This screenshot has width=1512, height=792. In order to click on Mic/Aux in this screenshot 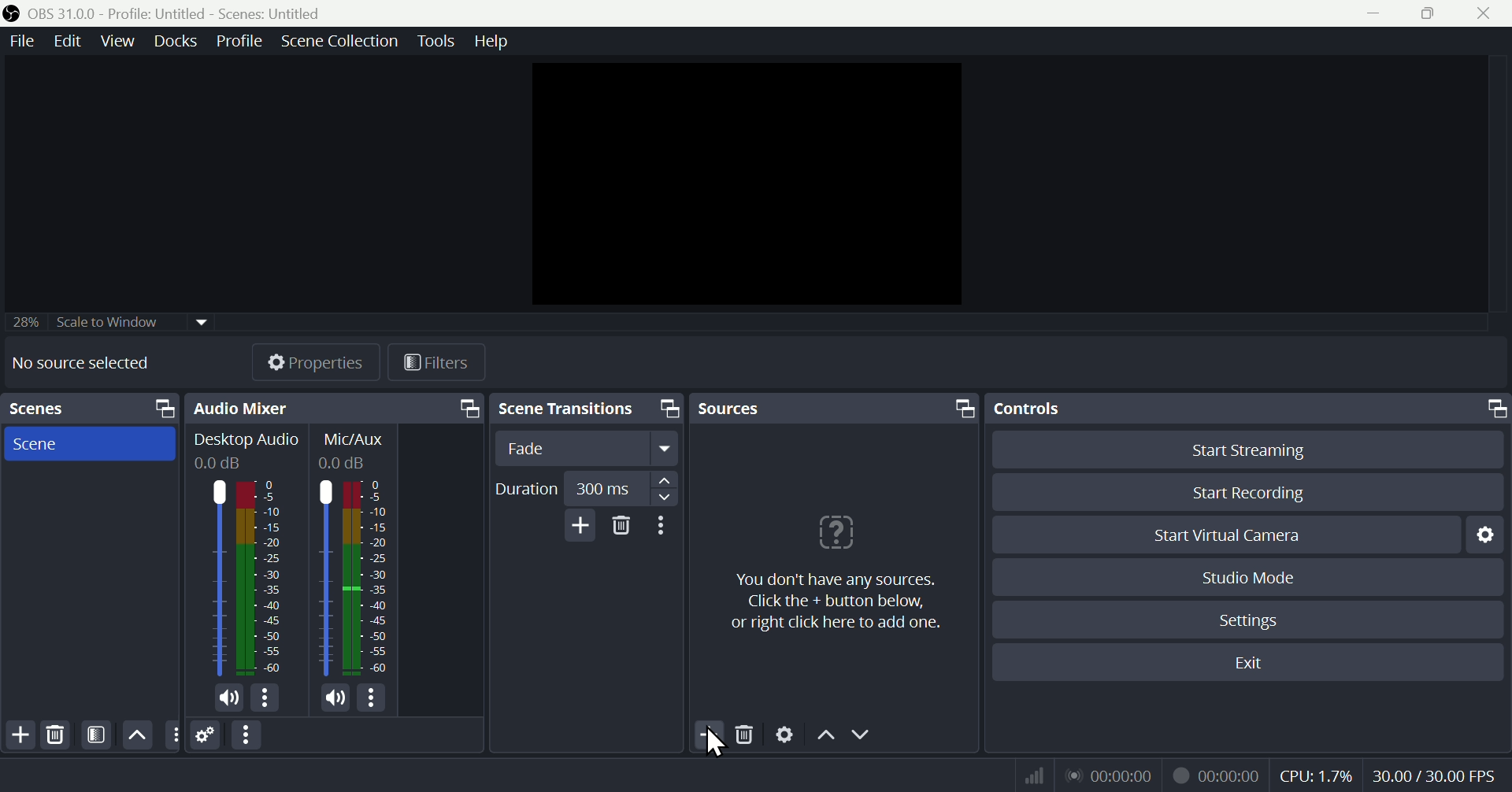, I will do `click(366, 578)`.